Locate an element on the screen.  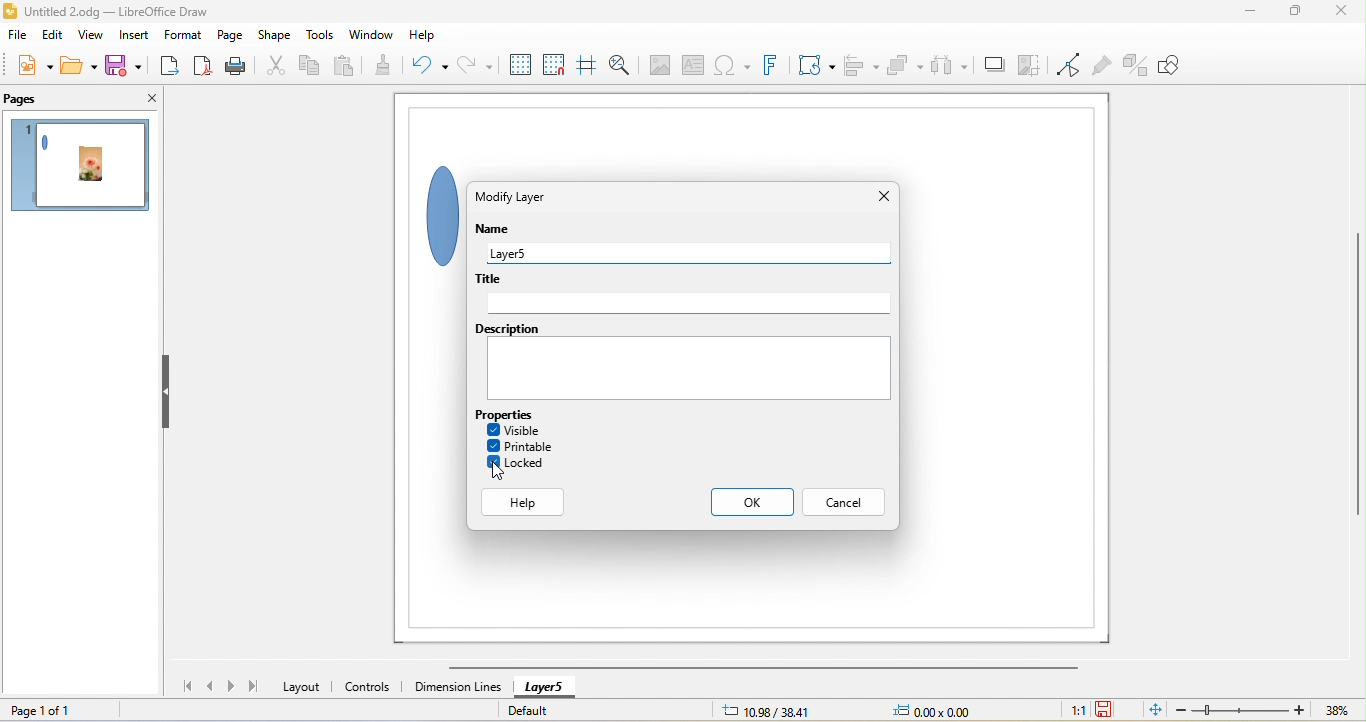
zoom out is located at coordinates (1181, 709).